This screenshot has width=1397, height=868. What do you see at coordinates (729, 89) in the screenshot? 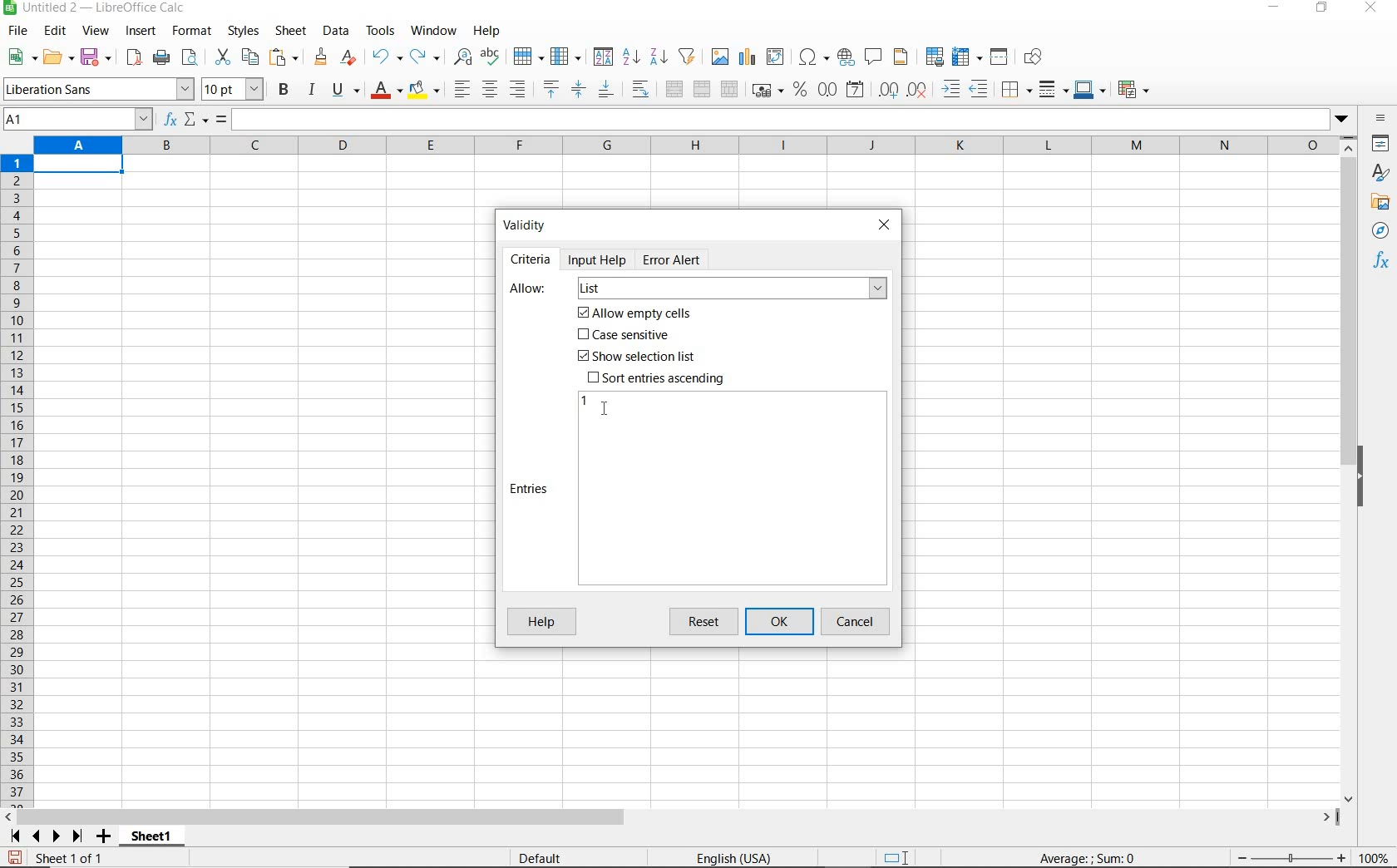
I see `unmerge cells` at bounding box center [729, 89].